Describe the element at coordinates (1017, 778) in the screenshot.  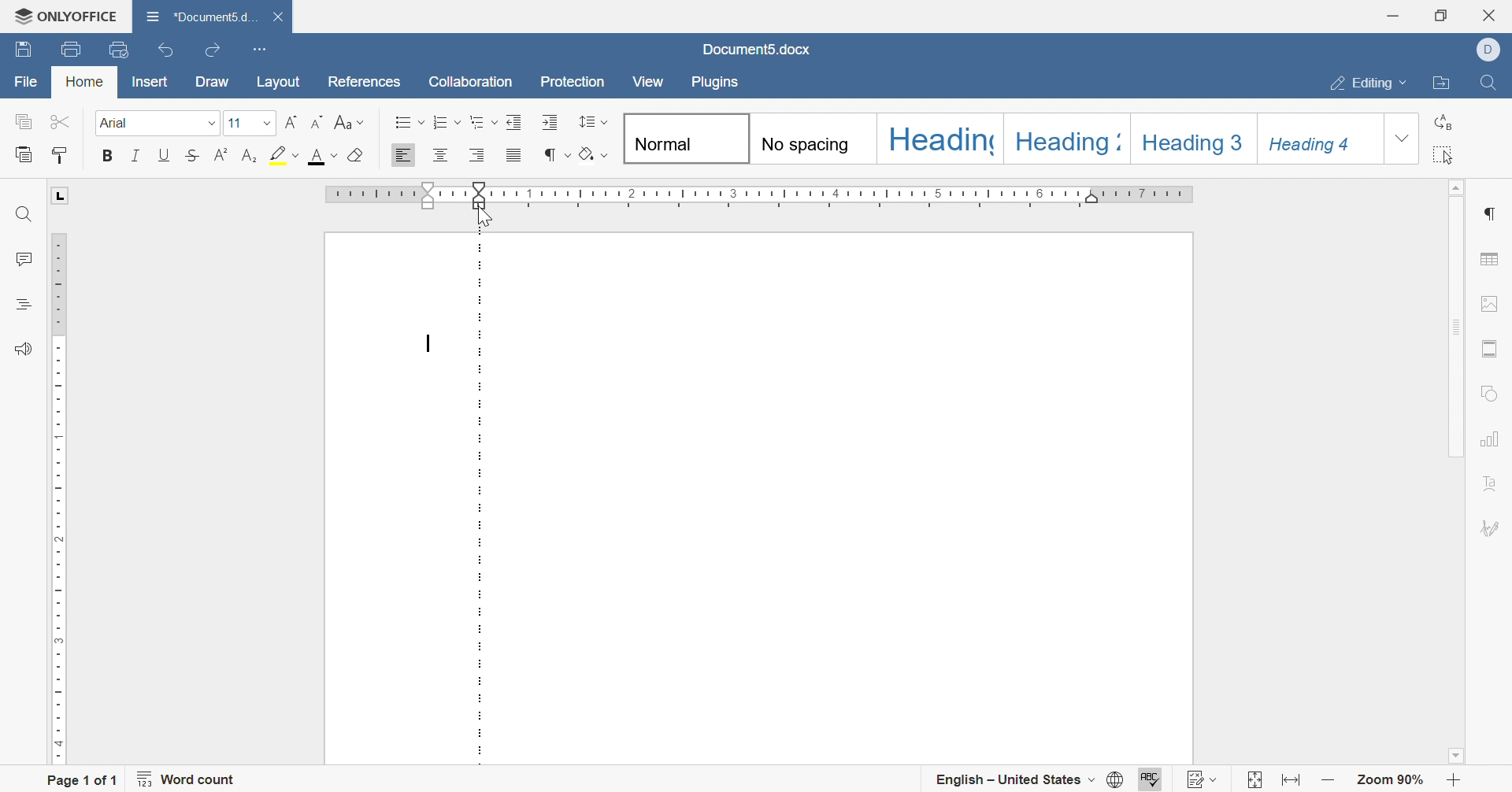
I see `set text language` at that location.